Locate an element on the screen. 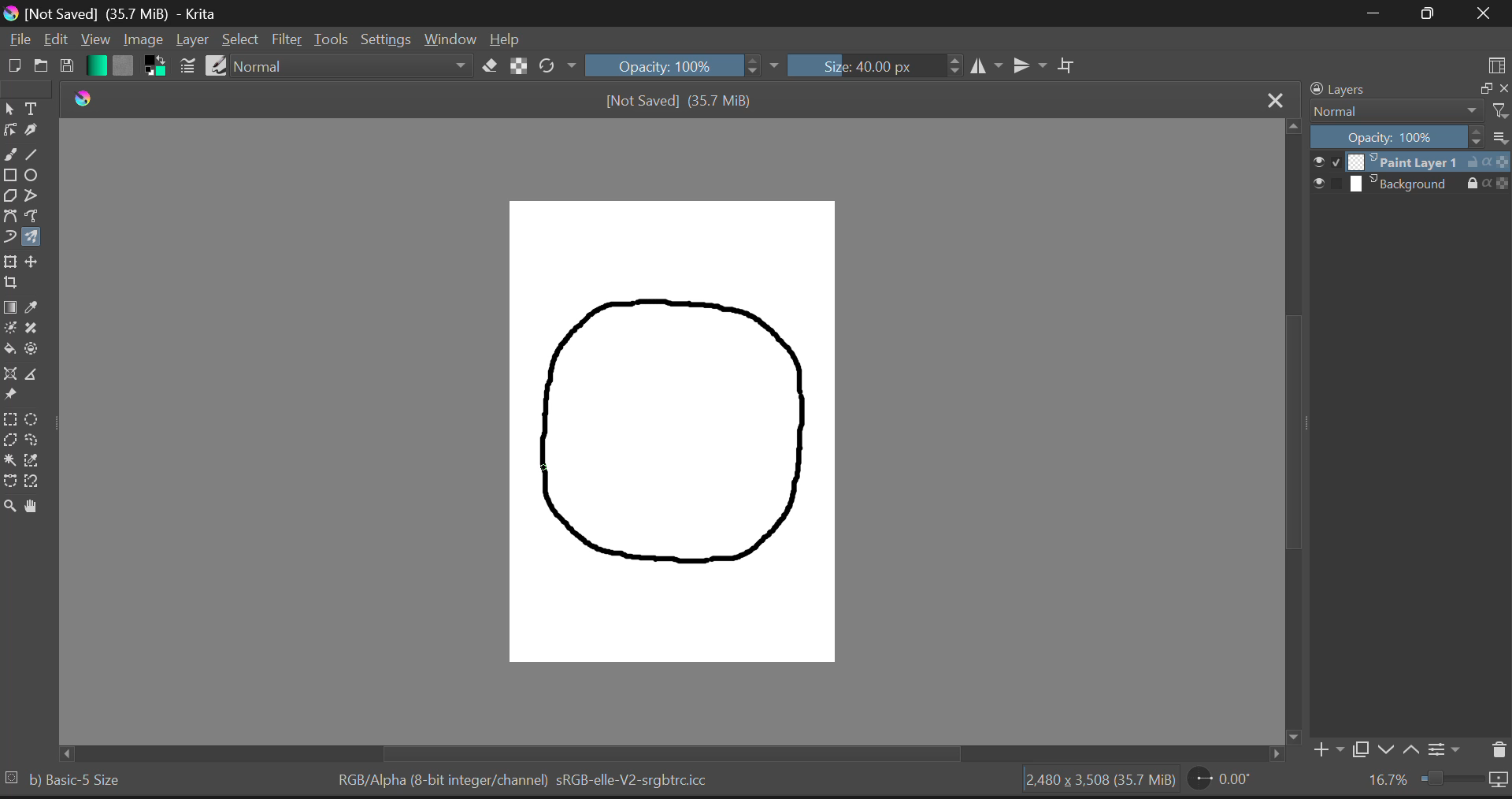 Image resolution: width=1512 pixels, height=799 pixels. Add Layer is located at coordinates (1327, 749).